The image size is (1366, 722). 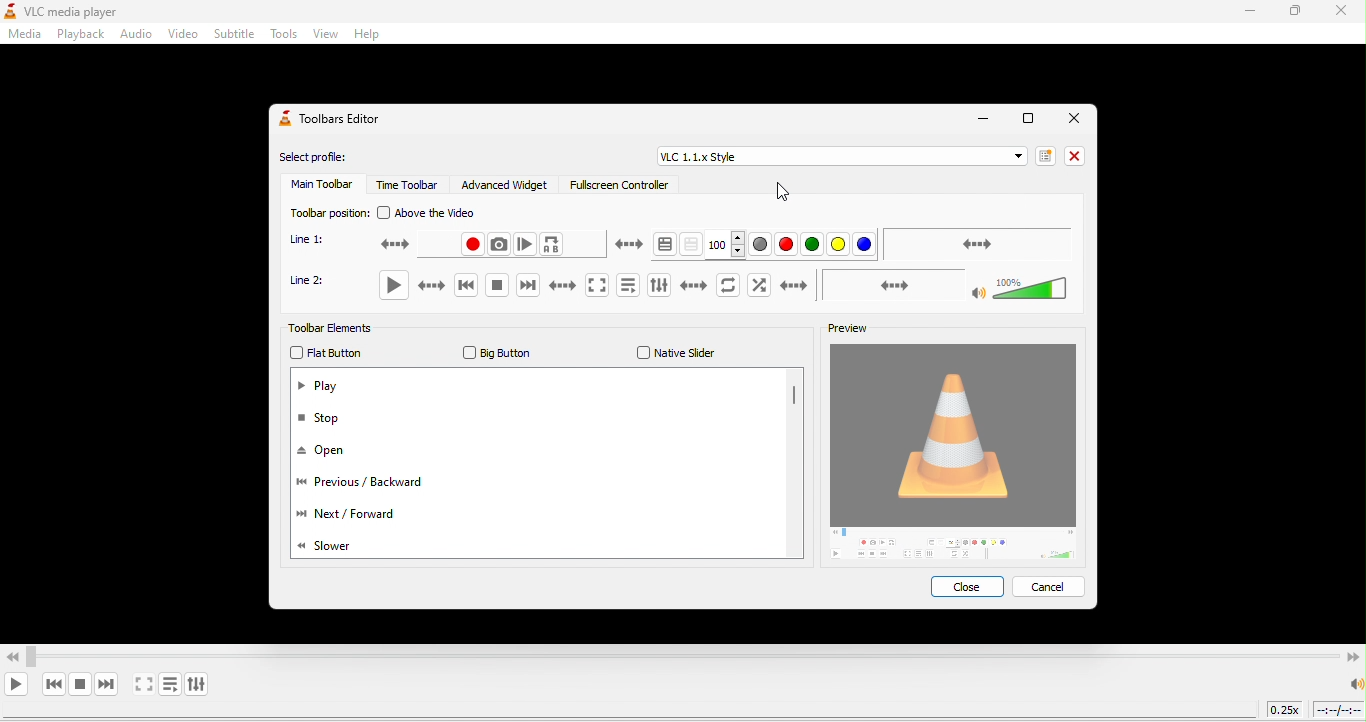 What do you see at coordinates (590, 285) in the screenshot?
I see `video in full screen` at bounding box center [590, 285].